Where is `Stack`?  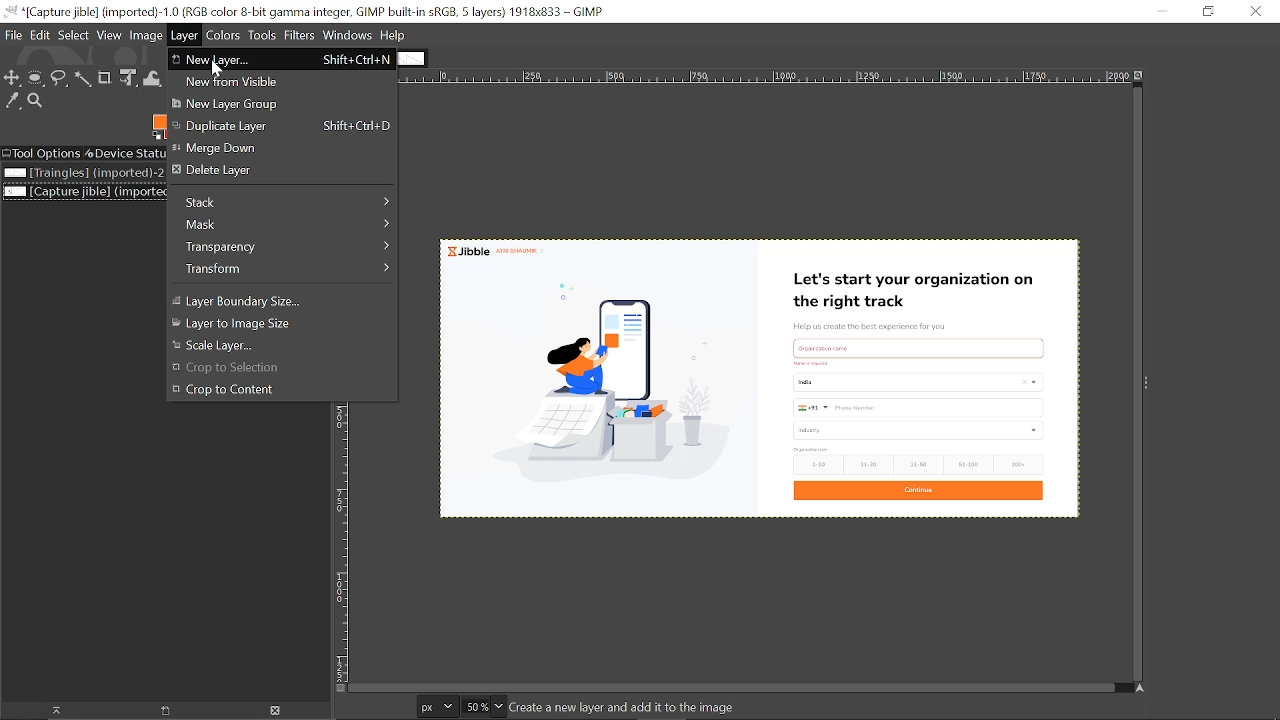 Stack is located at coordinates (298, 204).